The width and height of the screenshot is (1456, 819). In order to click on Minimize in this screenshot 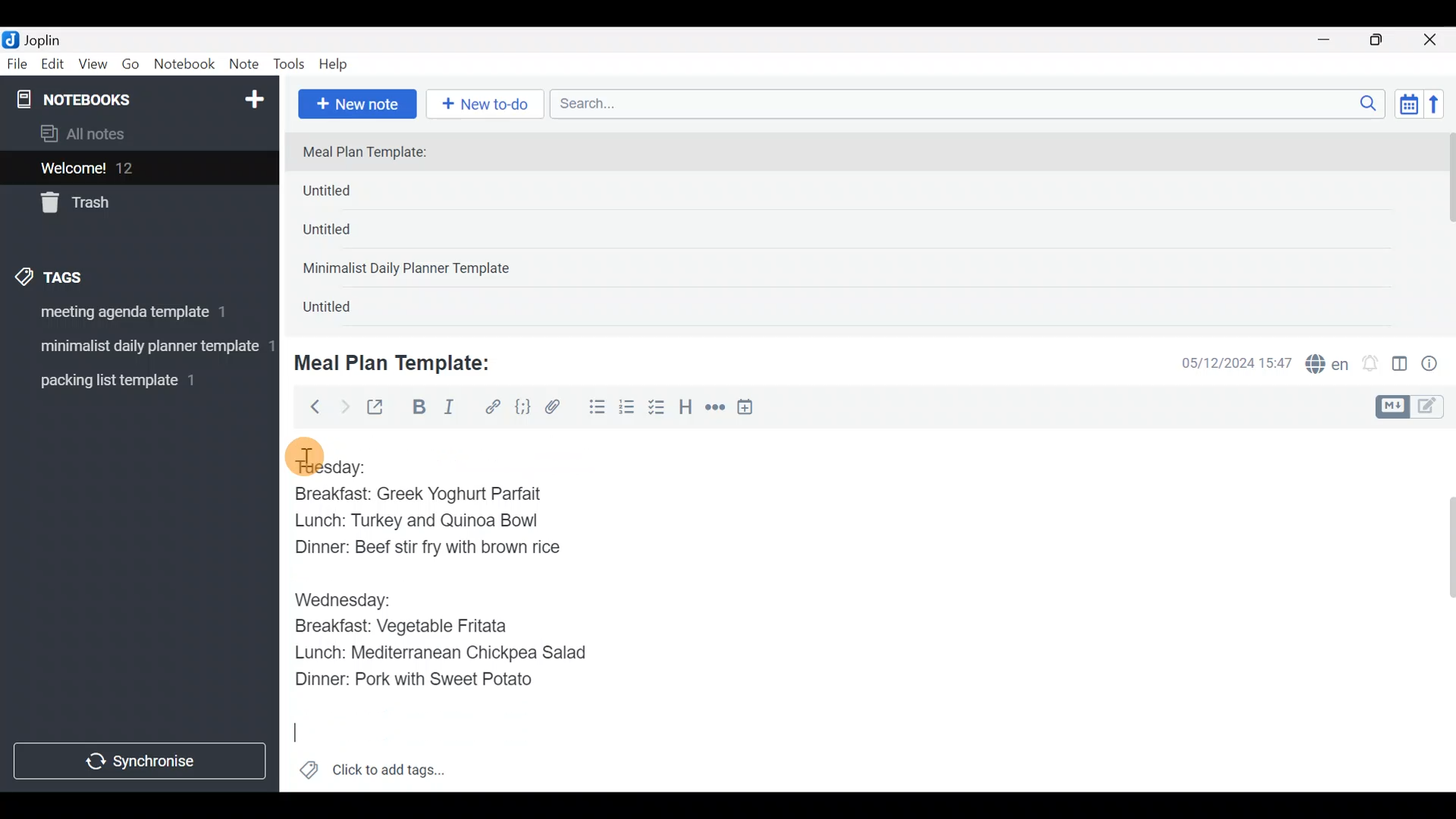, I will do `click(1332, 38)`.